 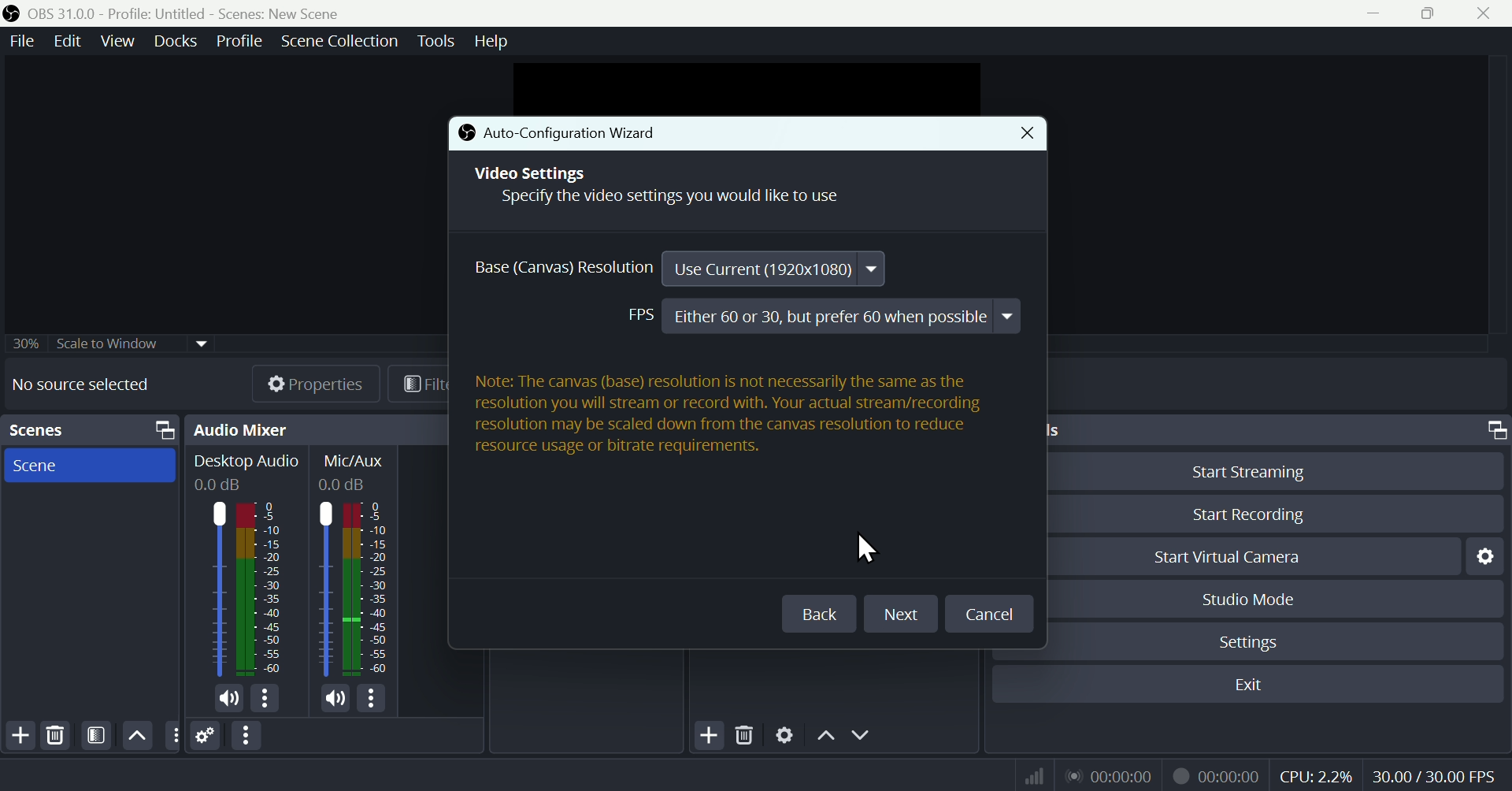 What do you see at coordinates (1270, 640) in the screenshot?
I see `Settings` at bounding box center [1270, 640].